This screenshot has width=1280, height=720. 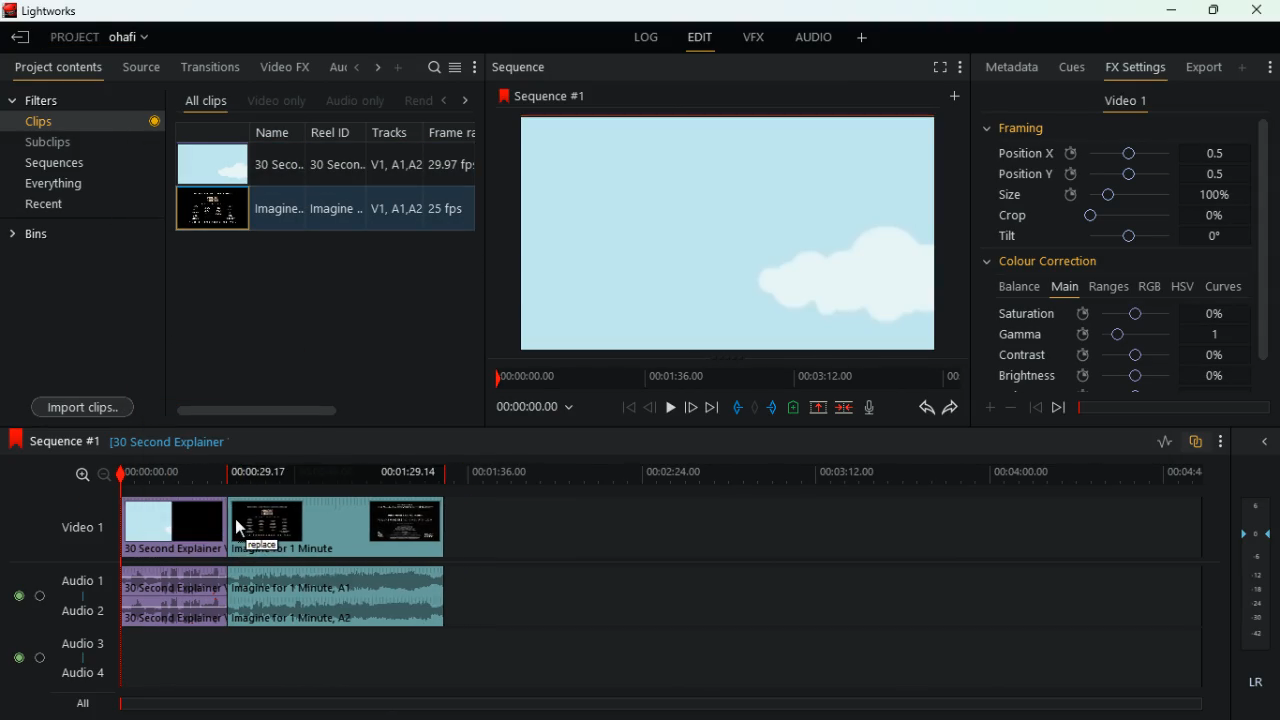 What do you see at coordinates (86, 405) in the screenshot?
I see `import clips` at bounding box center [86, 405].